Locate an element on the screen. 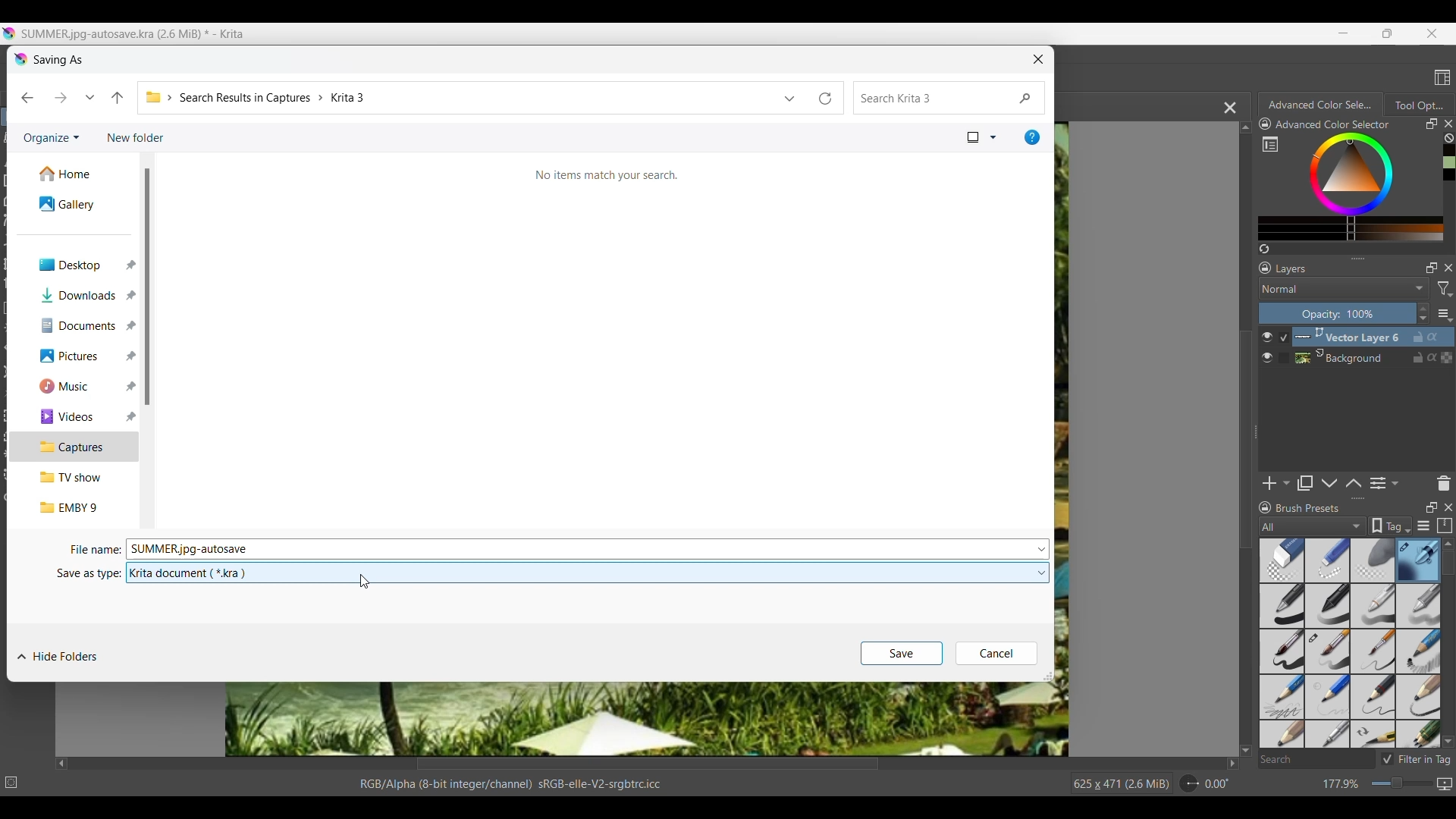 This screenshot has width=1456, height=819. Current rotation of image is located at coordinates (1217, 784).